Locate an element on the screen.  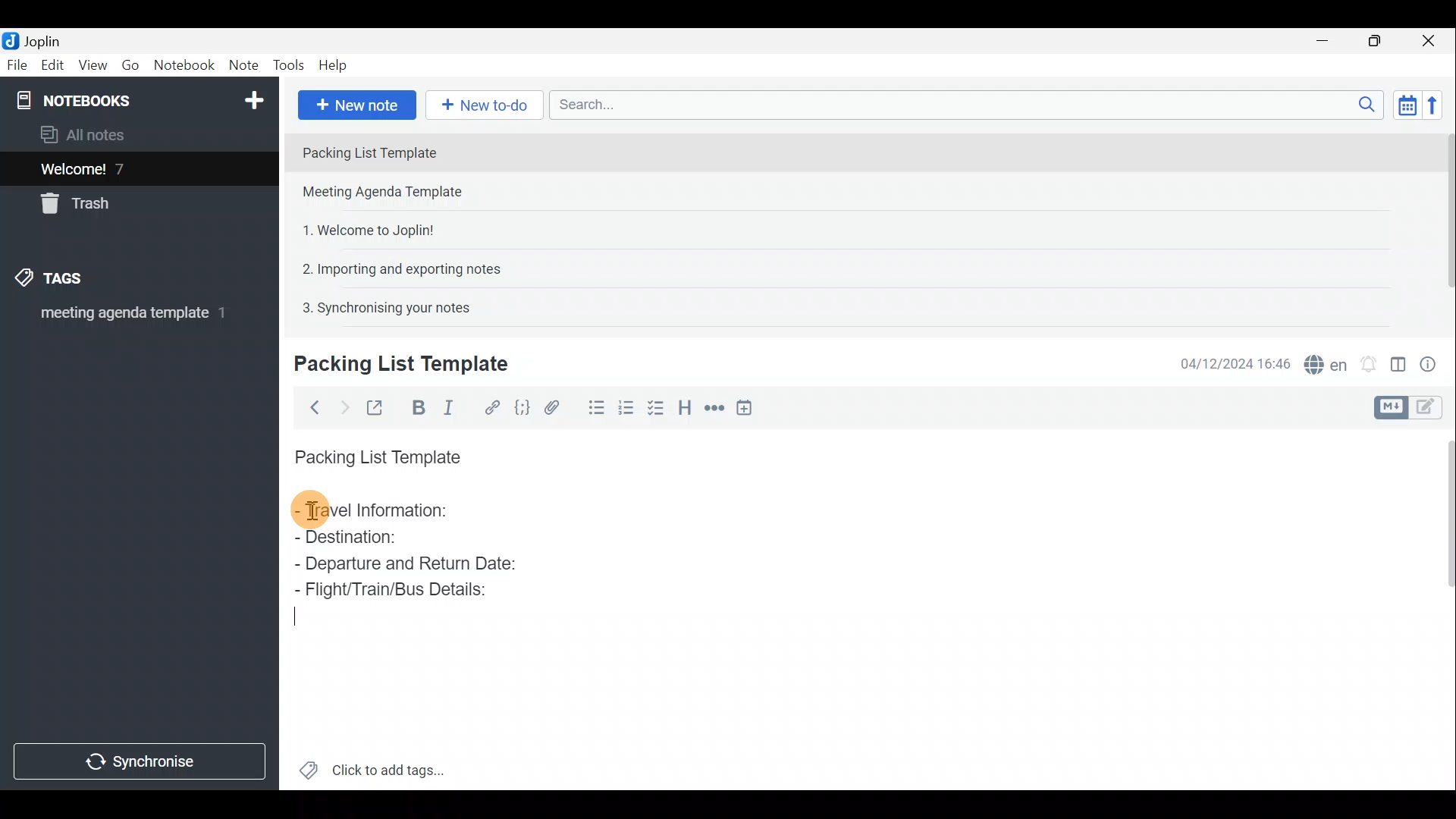
Travel Information: is located at coordinates (384, 512).